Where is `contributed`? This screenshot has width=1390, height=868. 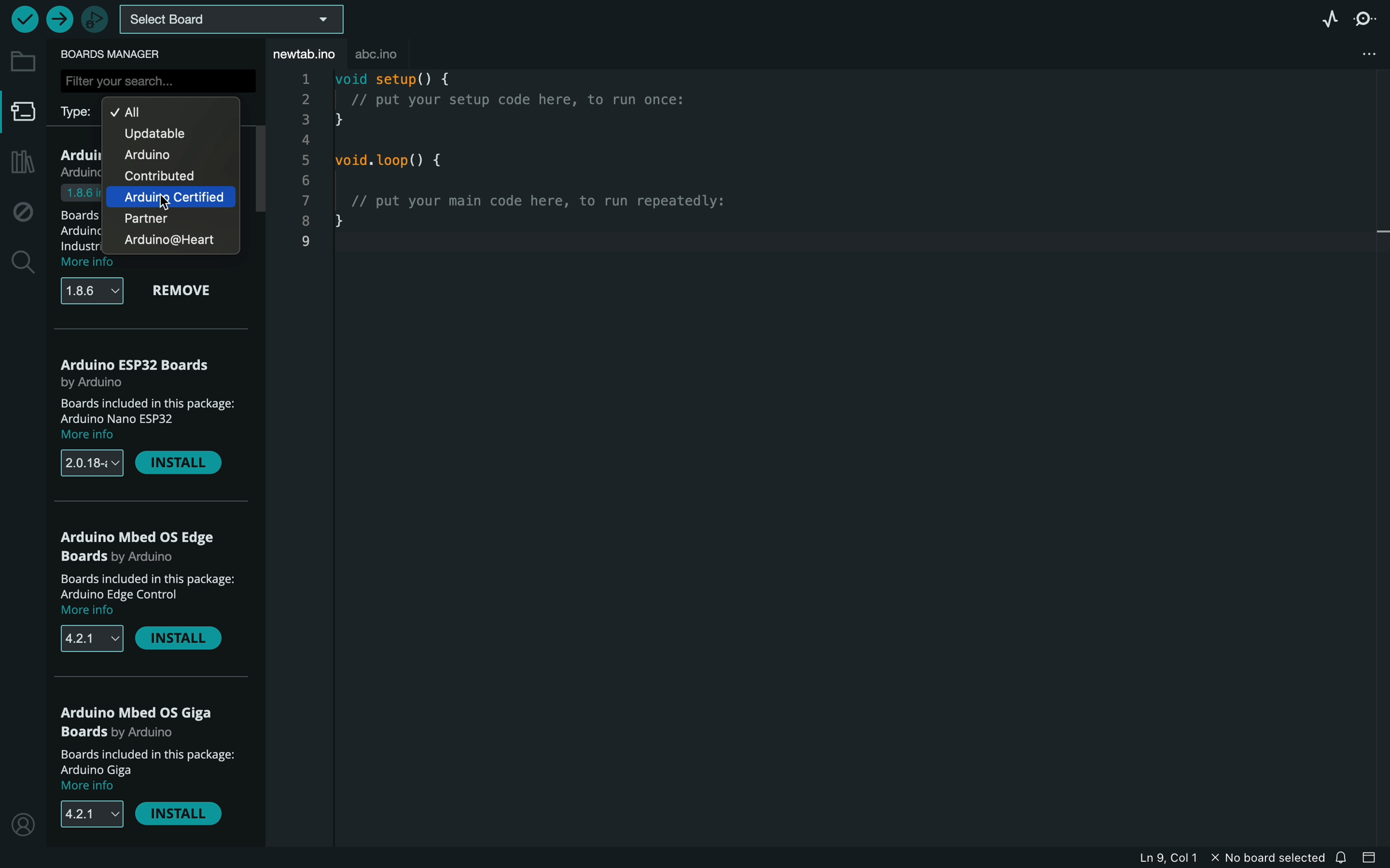
contributed is located at coordinates (157, 175).